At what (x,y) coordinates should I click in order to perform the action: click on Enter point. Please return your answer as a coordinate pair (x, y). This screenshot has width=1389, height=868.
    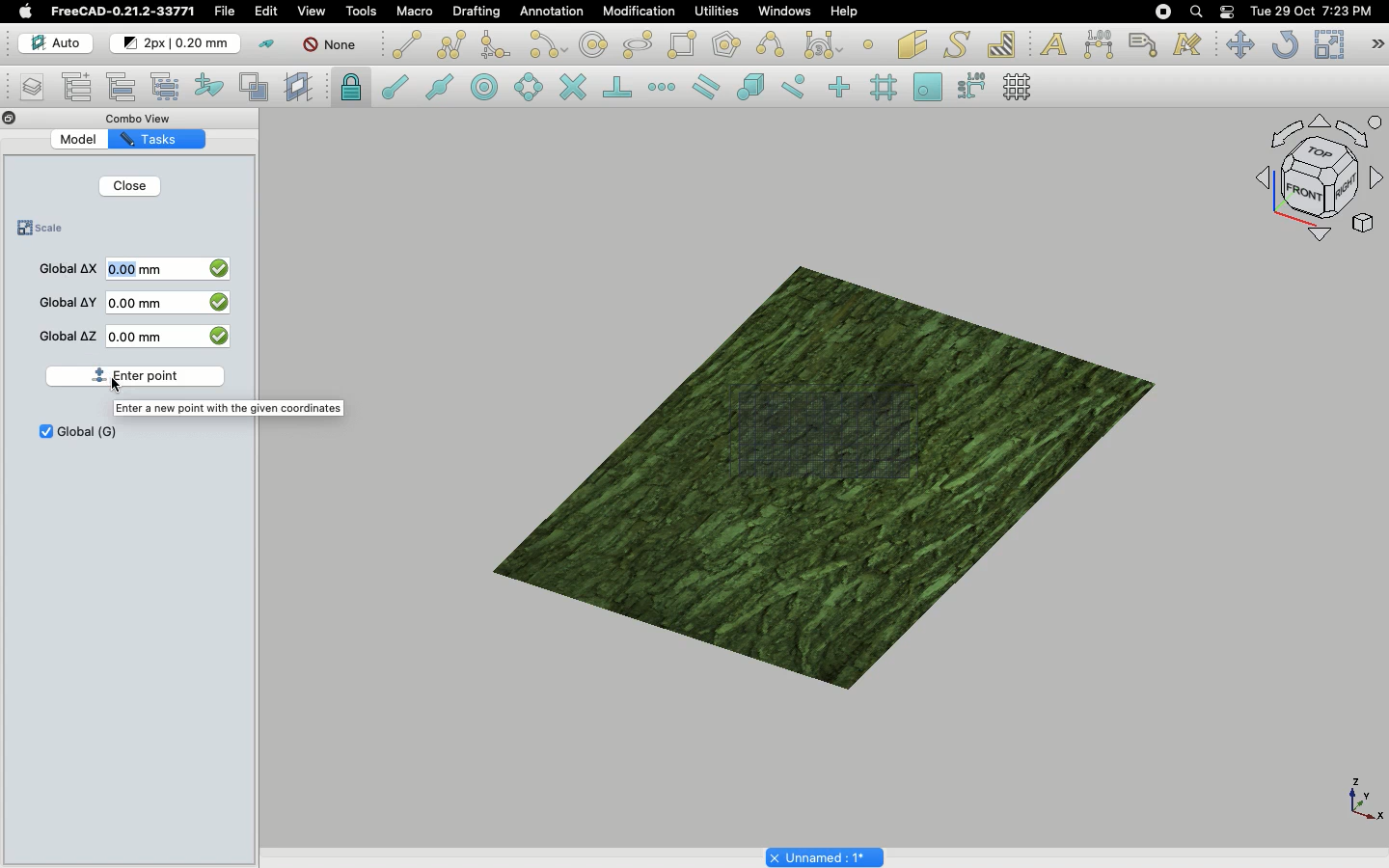
    Looking at the image, I should click on (135, 376).